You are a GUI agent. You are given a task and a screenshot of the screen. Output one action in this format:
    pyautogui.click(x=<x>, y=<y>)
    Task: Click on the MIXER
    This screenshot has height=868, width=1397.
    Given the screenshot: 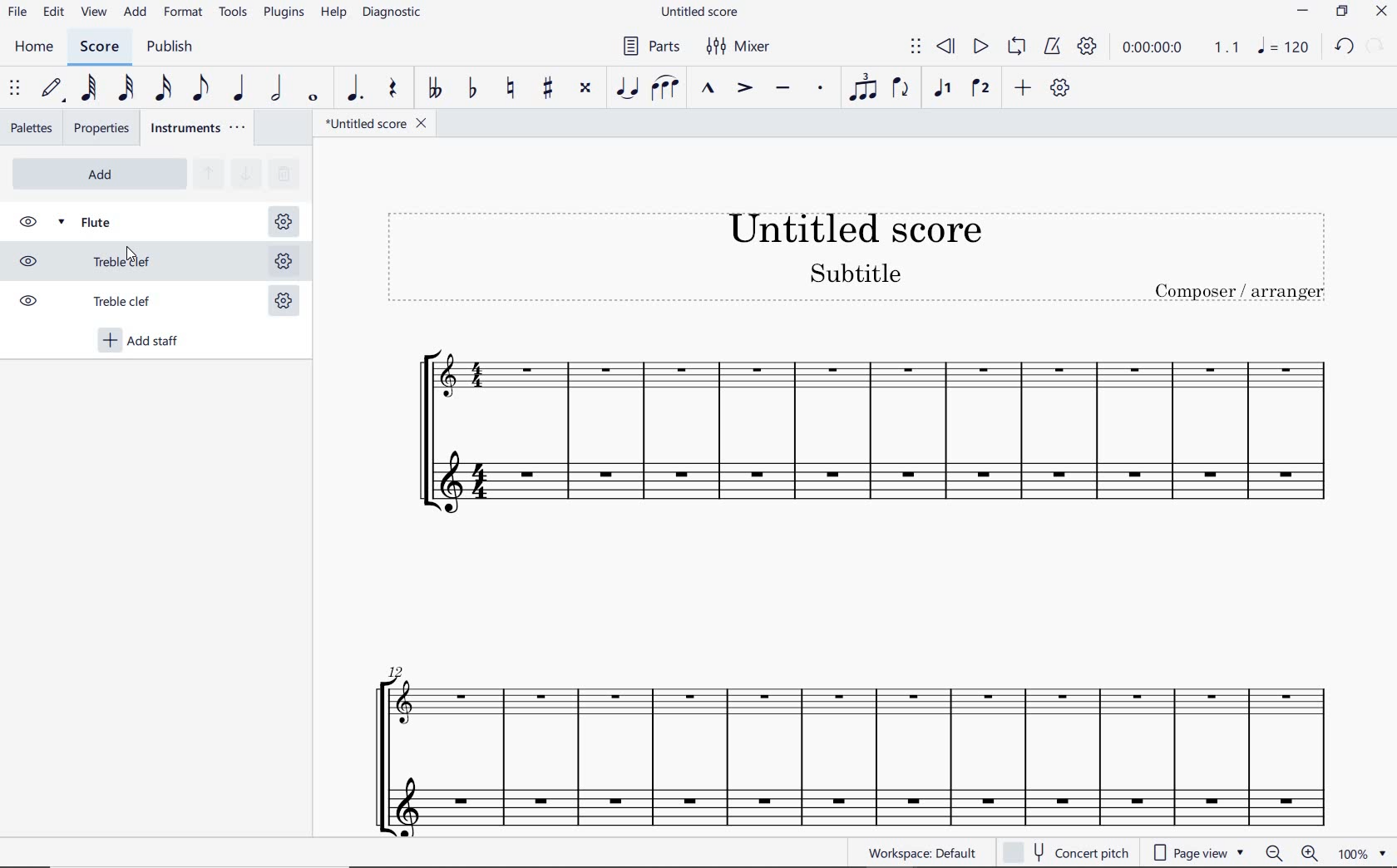 What is the action you would take?
    pyautogui.click(x=740, y=49)
    